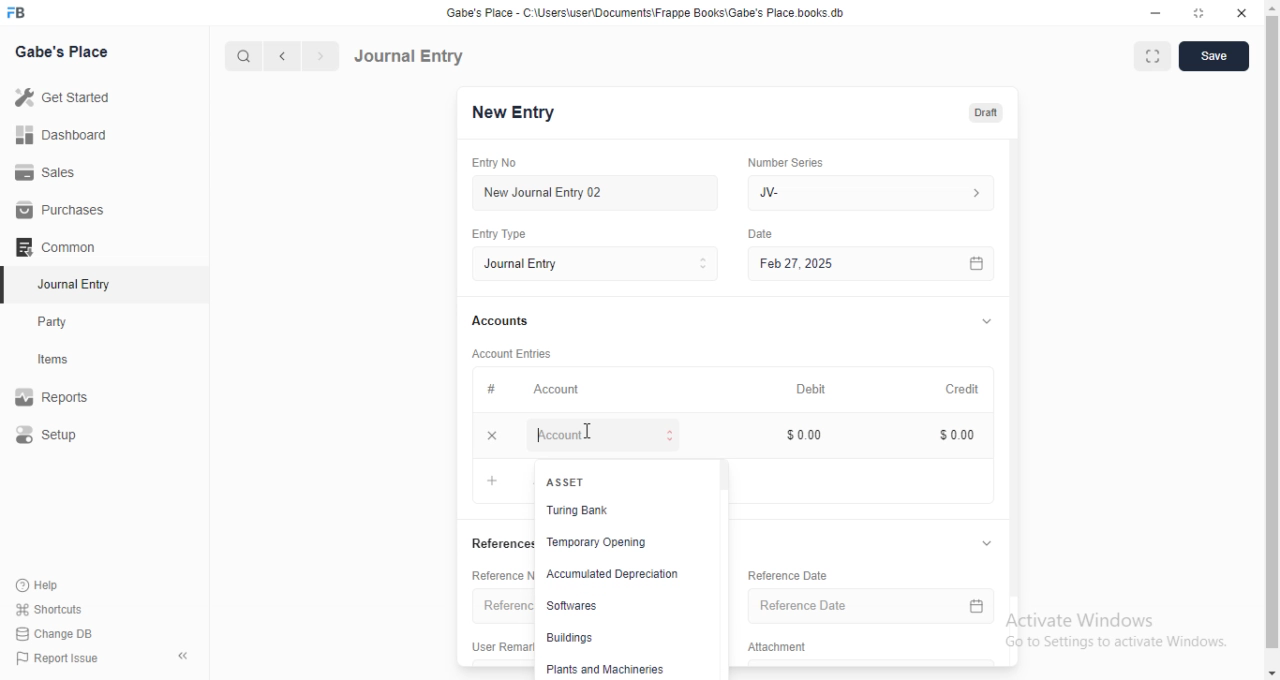  Describe the element at coordinates (807, 435) in the screenshot. I see `0.00` at that location.